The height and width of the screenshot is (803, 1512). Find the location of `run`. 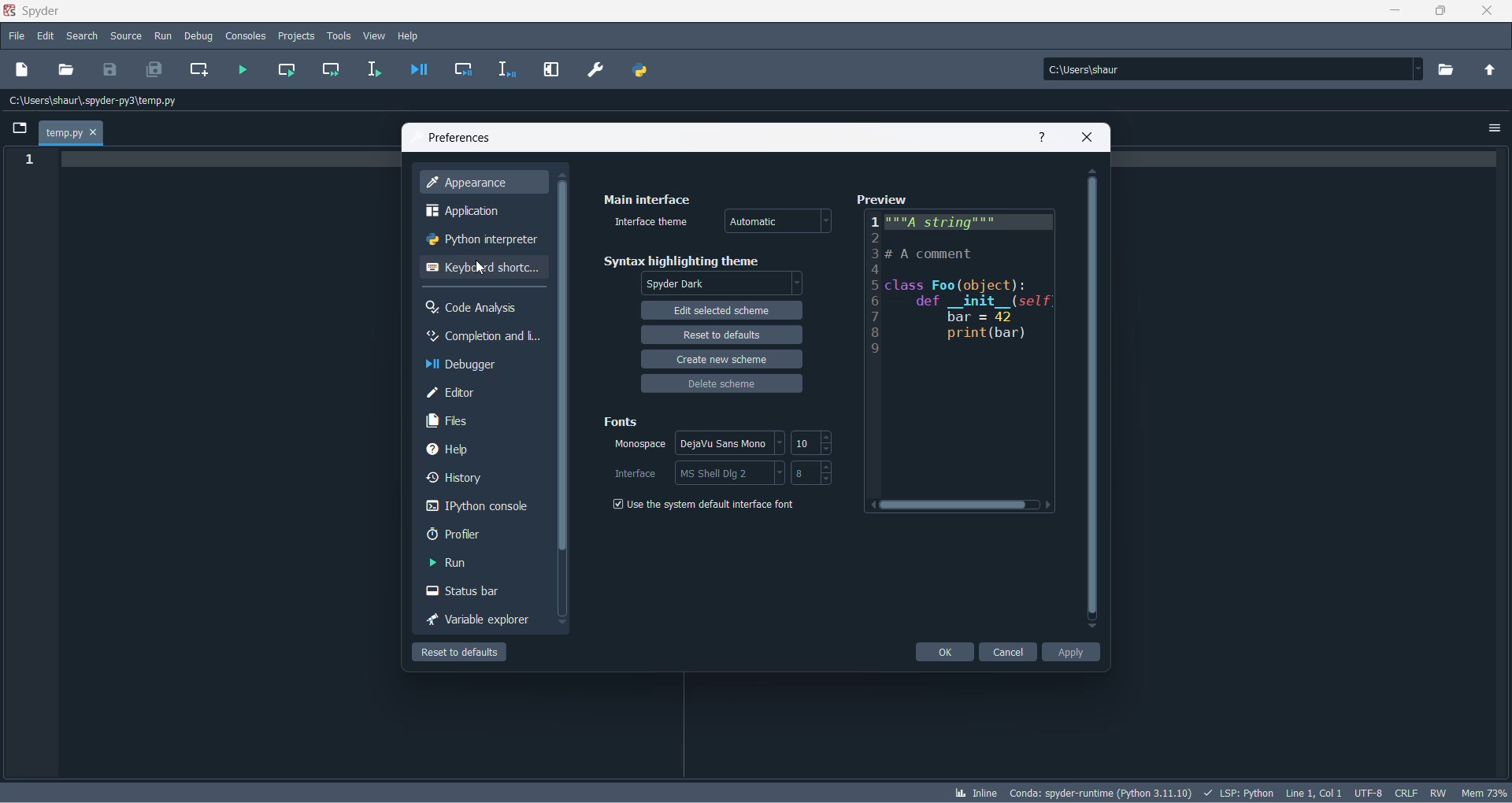

run is located at coordinates (160, 34).